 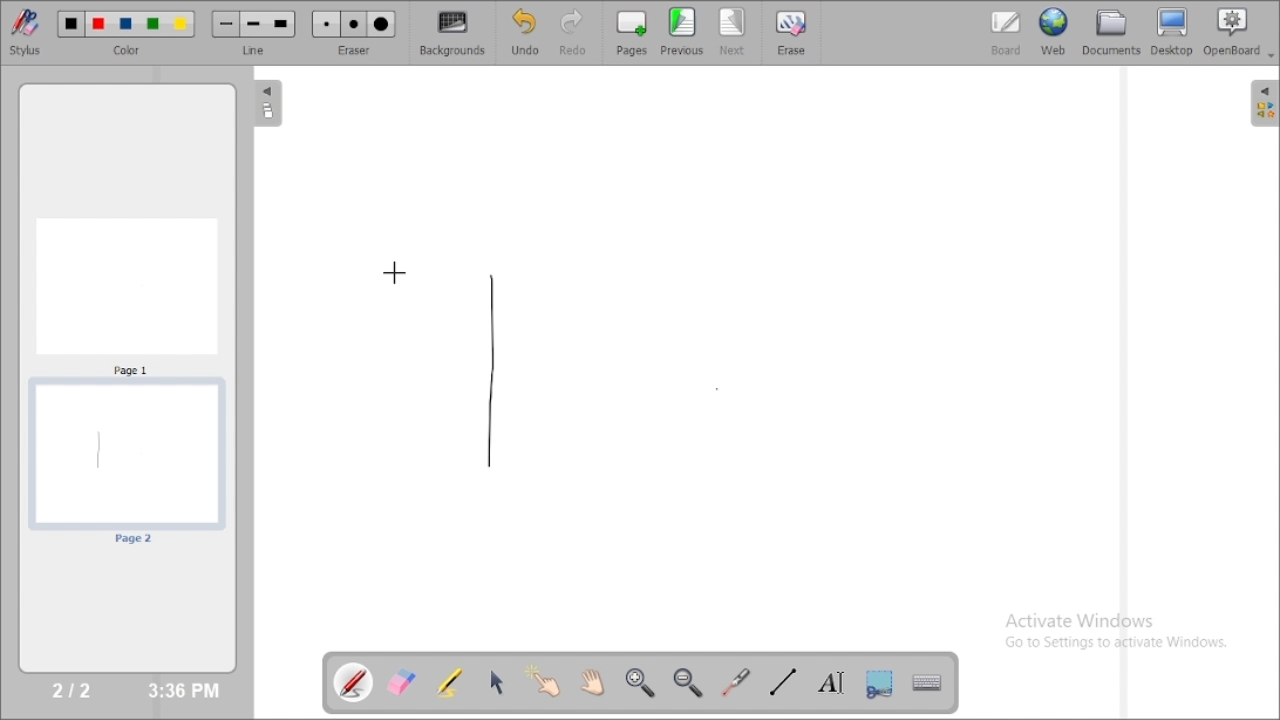 I want to click on eraser, so click(x=354, y=50).